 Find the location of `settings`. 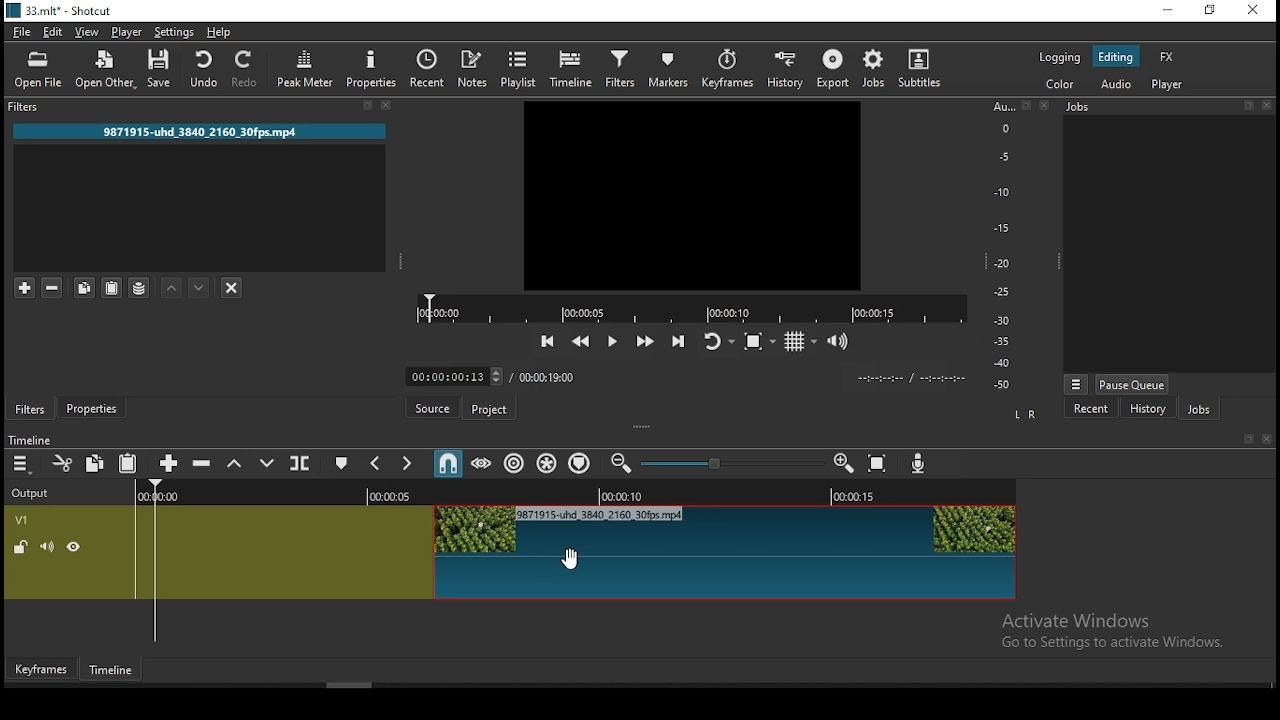

settings is located at coordinates (174, 32).